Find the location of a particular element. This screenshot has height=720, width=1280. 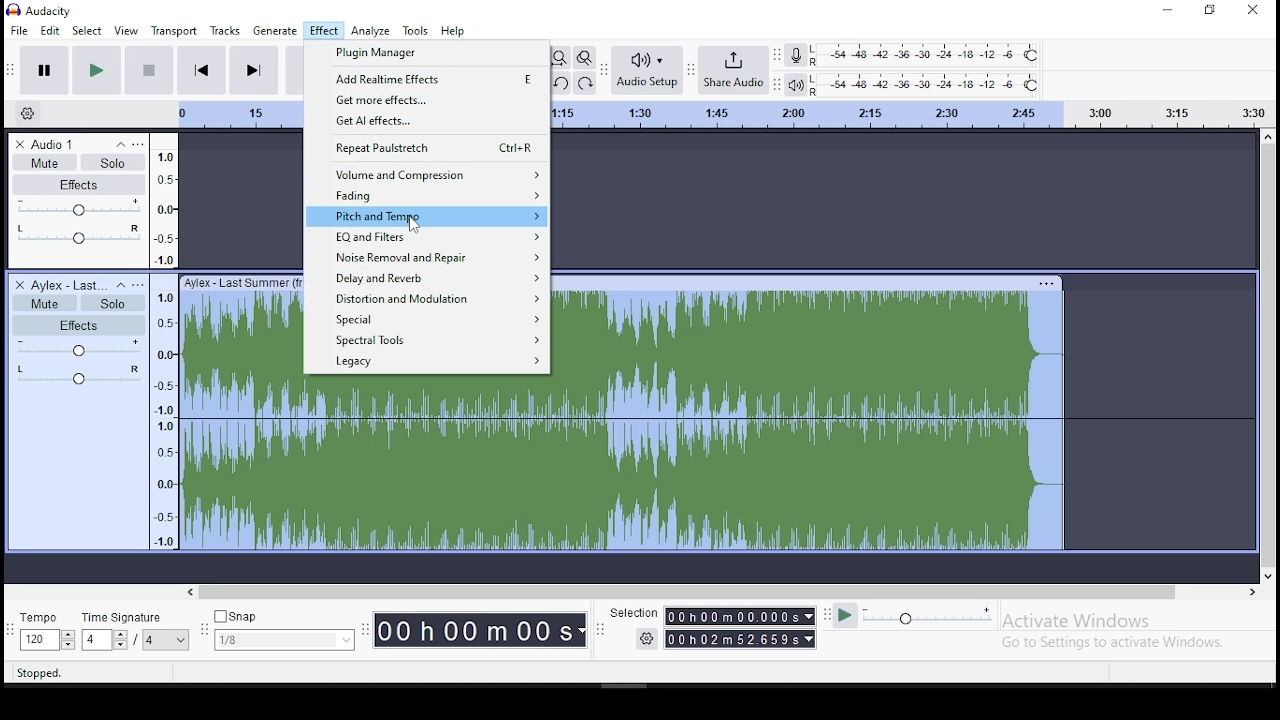

fit project to width is located at coordinates (560, 56).